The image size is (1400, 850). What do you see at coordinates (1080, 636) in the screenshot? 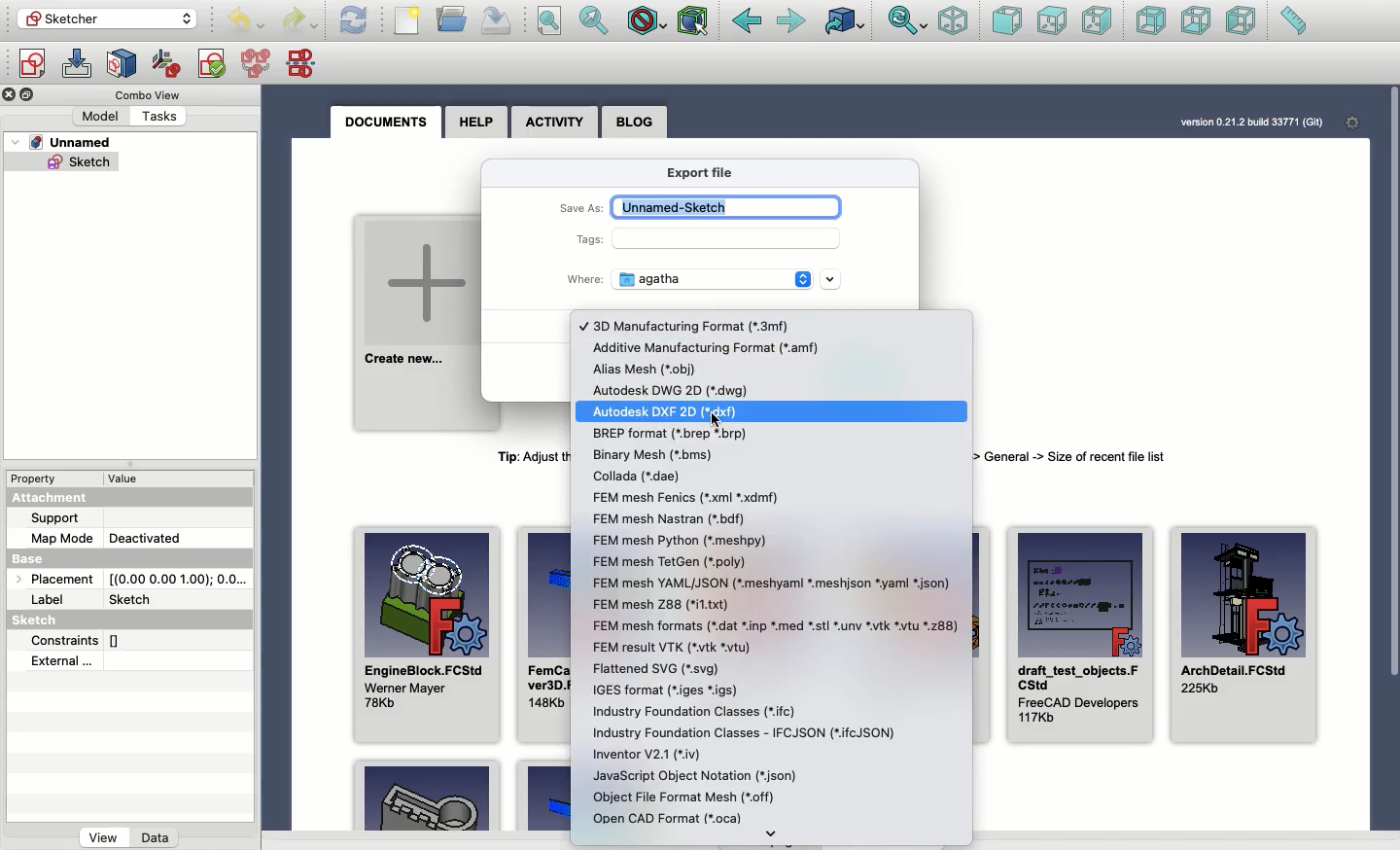
I see `draft_test_objects.FCStd FreeCAD Developers 117Kb` at bounding box center [1080, 636].